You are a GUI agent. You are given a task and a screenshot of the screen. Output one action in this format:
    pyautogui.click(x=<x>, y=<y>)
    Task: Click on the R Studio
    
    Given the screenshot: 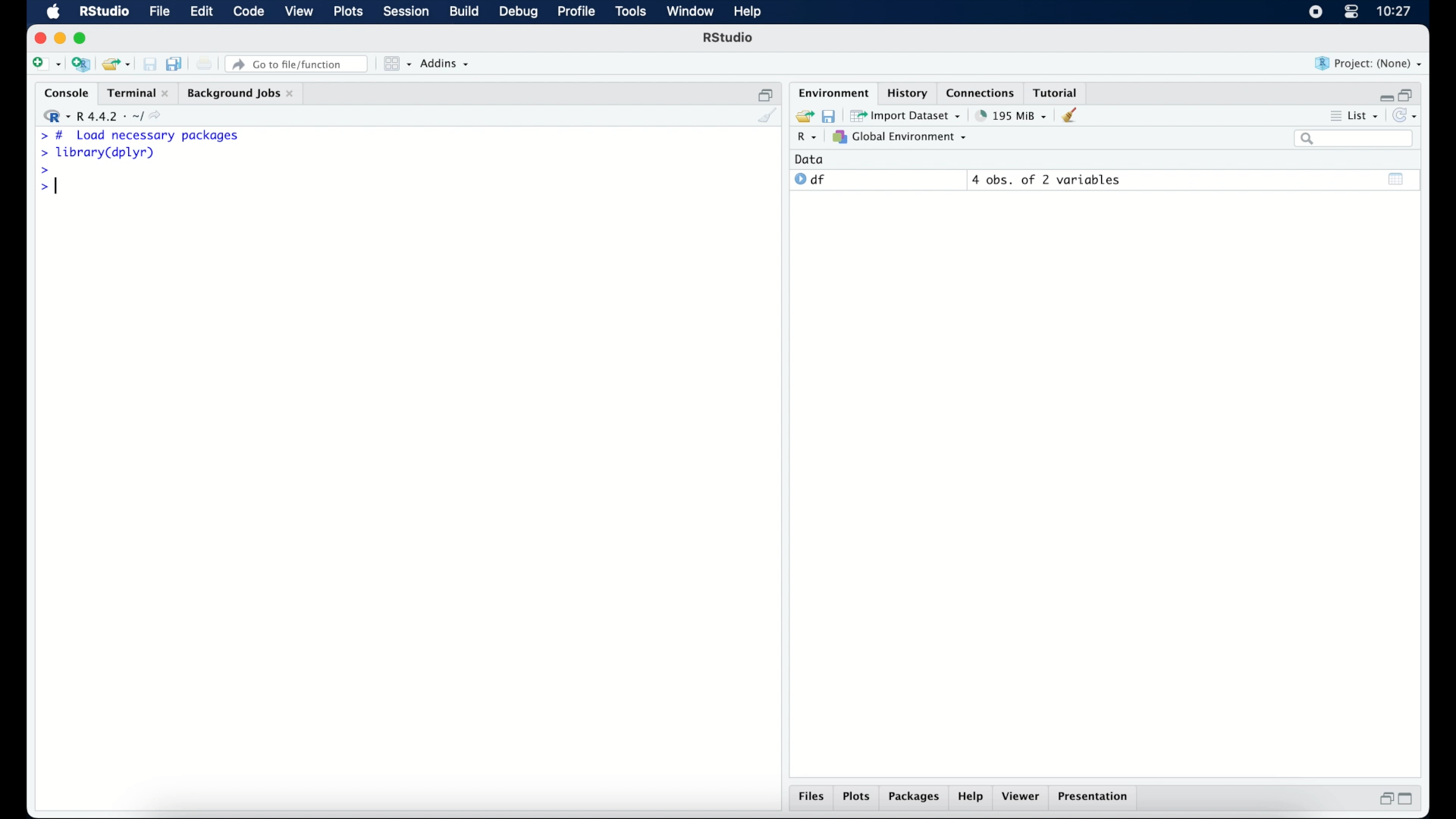 What is the action you would take?
    pyautogui.click(x=104, y=12)
    